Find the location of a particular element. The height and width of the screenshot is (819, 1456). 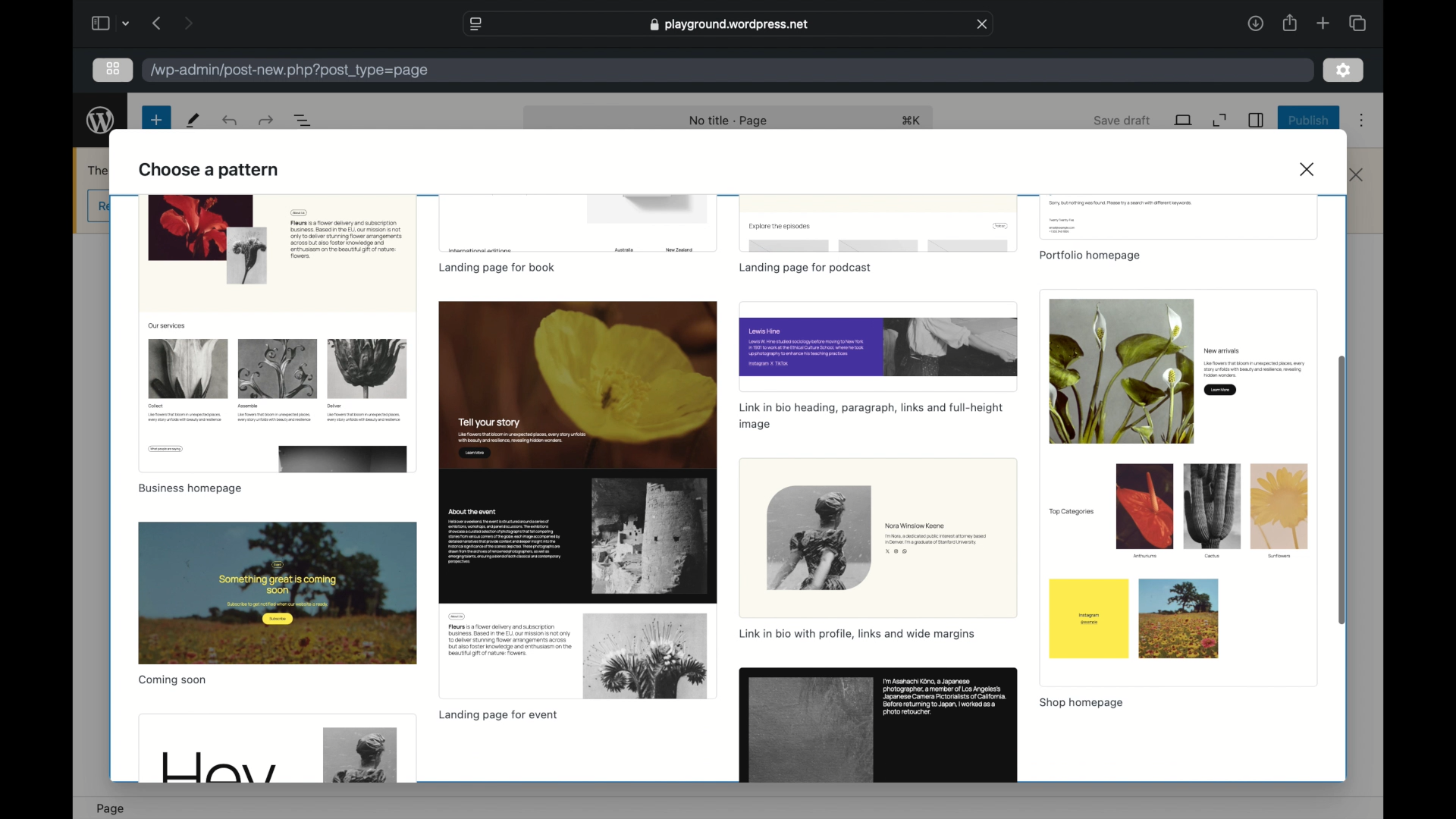

ink in bio with profile, links and side margins is located at coordinates (857, 633).